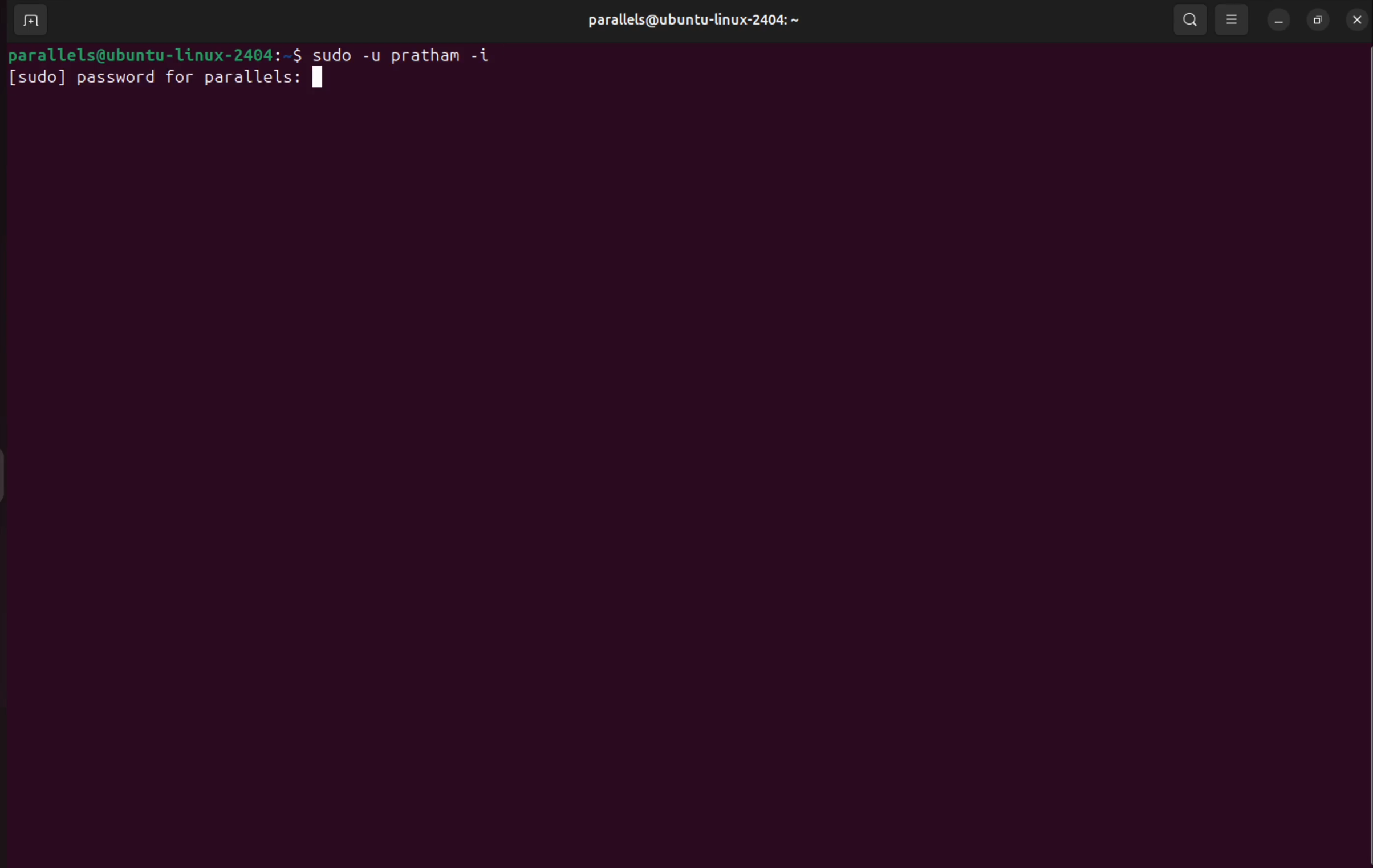  What do you see at coordinates (1235, 17) in the screenshot?
I see `view options` at bounding box center [1235, 17].